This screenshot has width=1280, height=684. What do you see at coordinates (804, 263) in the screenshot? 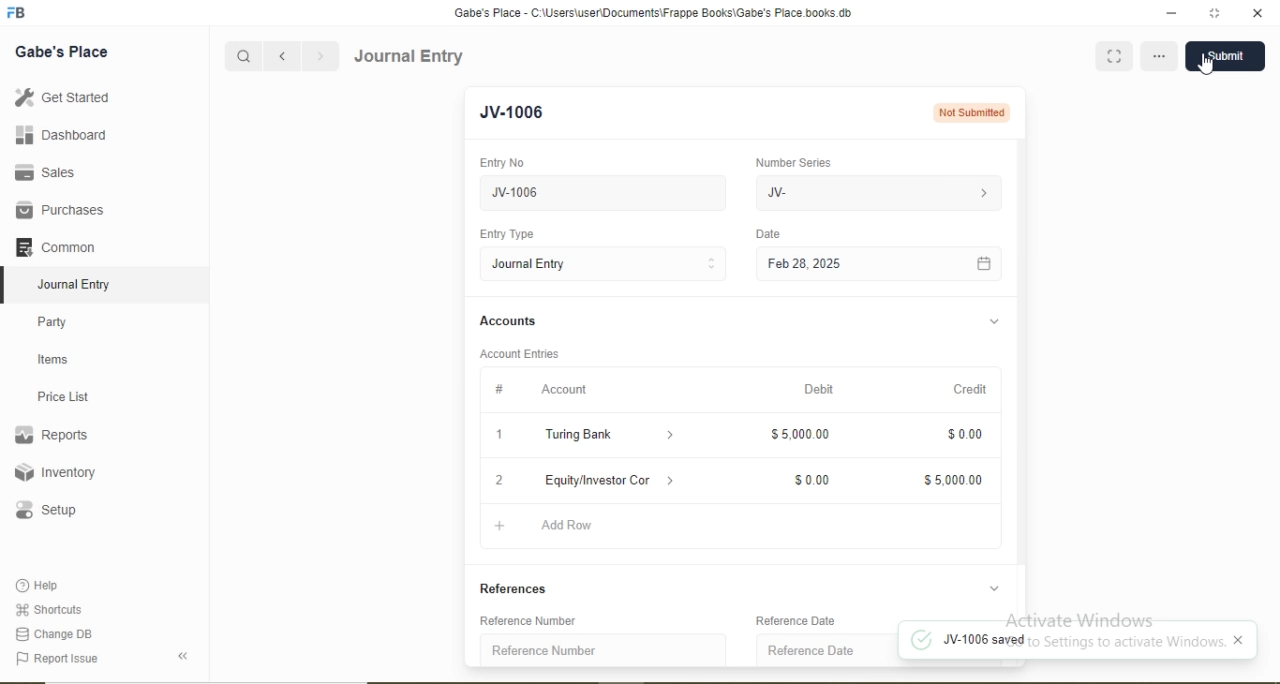
I see `Feb 28, 2025` at bounding box center [804, 263].